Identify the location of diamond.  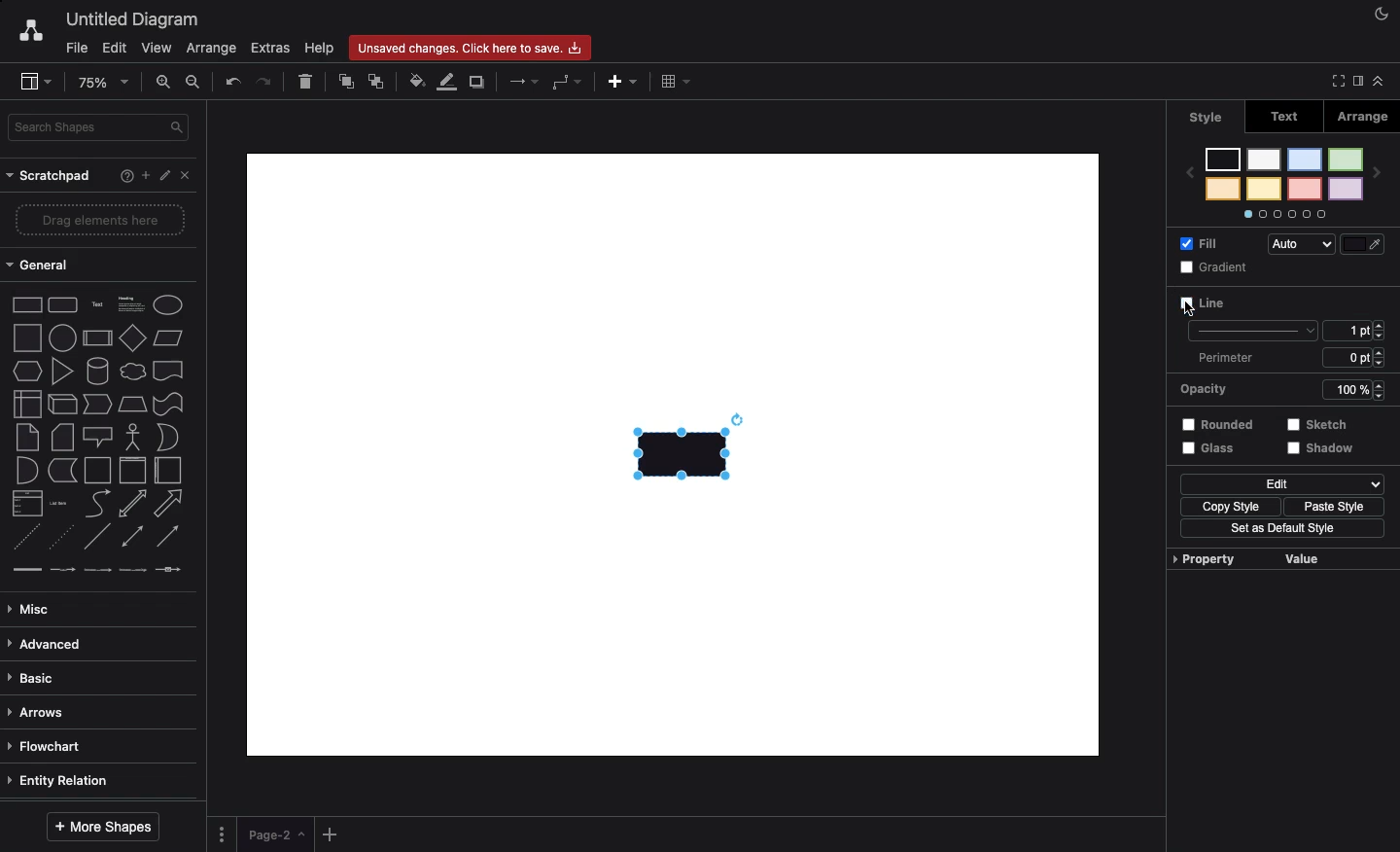
(131, 339).